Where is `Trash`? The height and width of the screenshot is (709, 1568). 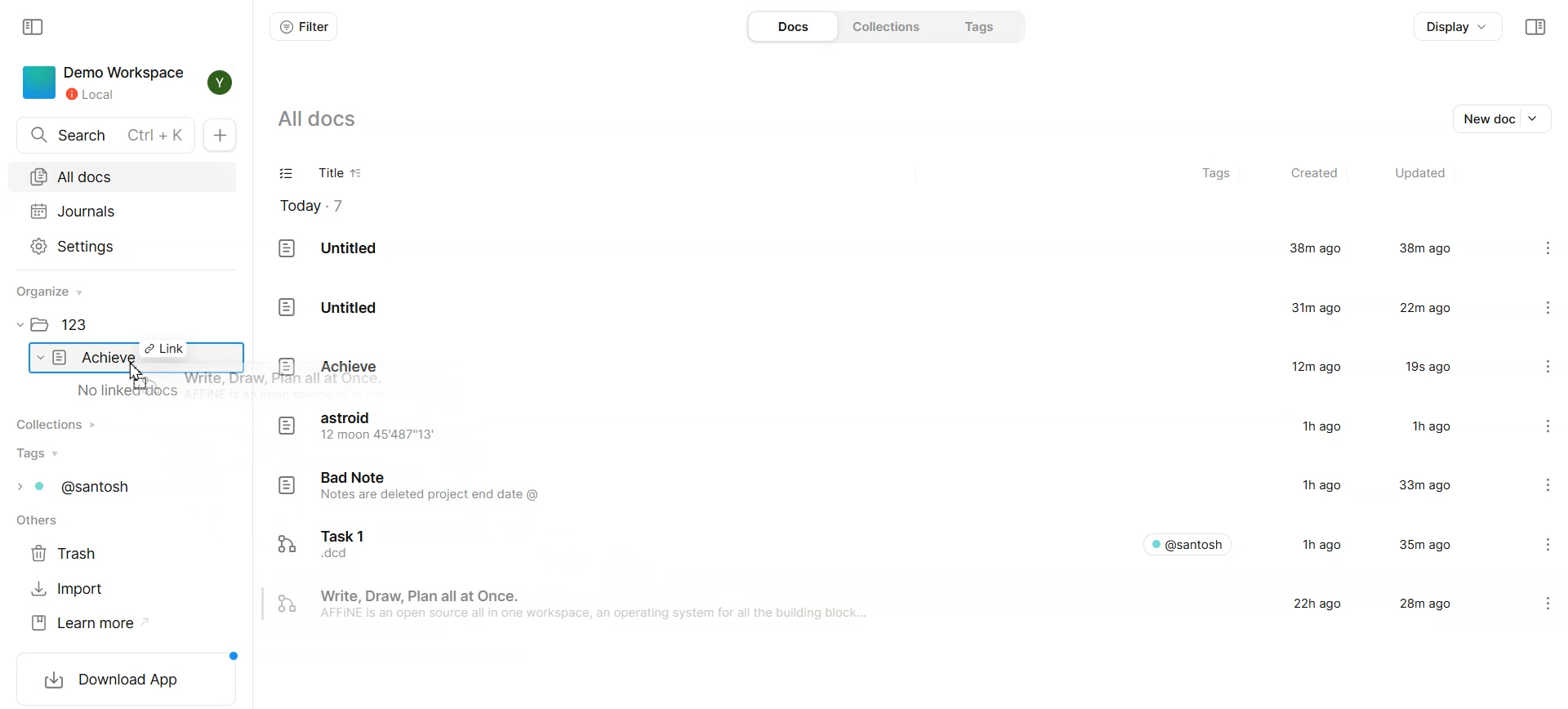 Trash is located at coordinates (69, 554).